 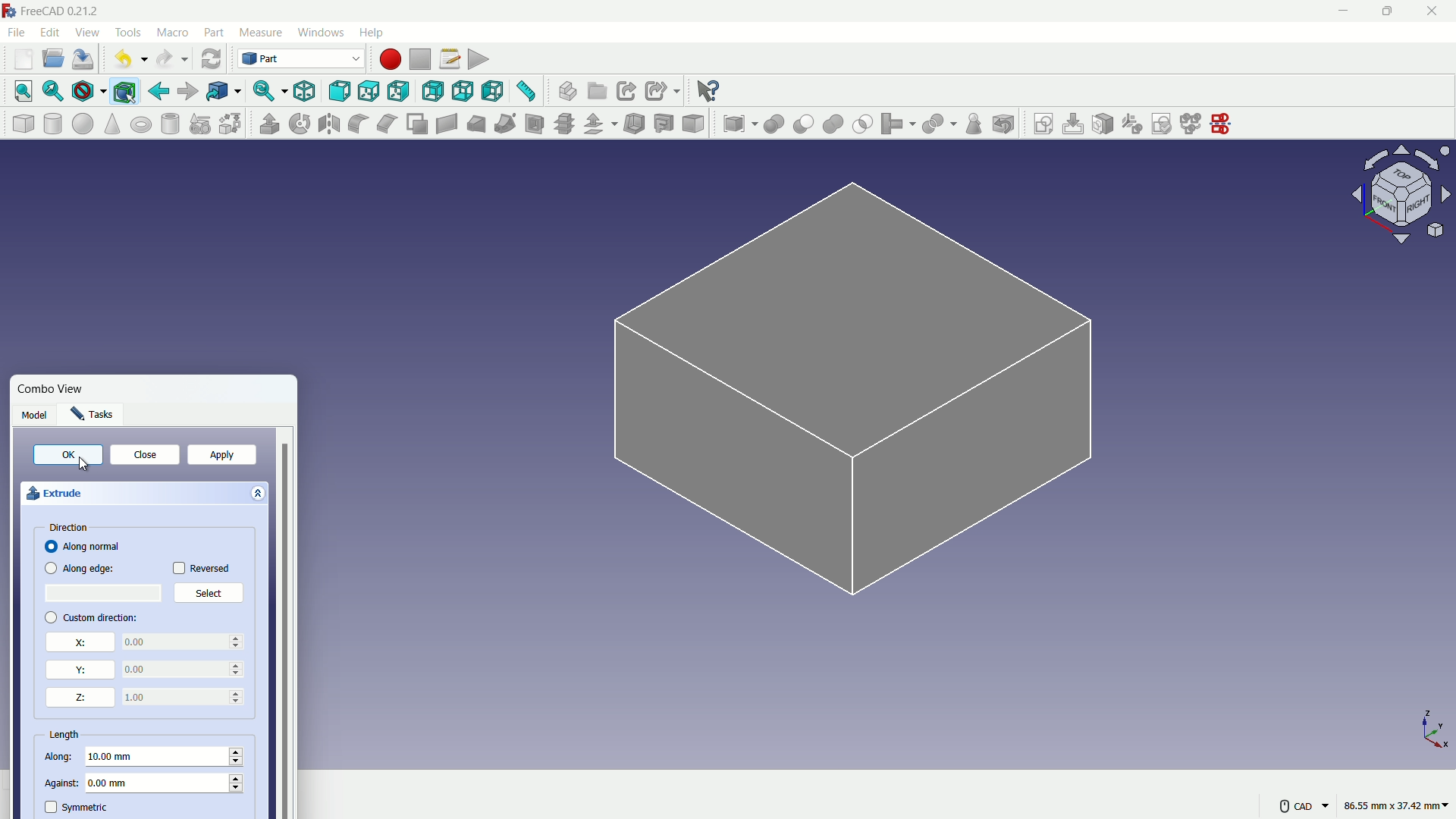 What do you see at coordinates (707, 90) in the screenshot?
I see `help extension` at bounding box center [707, 90].